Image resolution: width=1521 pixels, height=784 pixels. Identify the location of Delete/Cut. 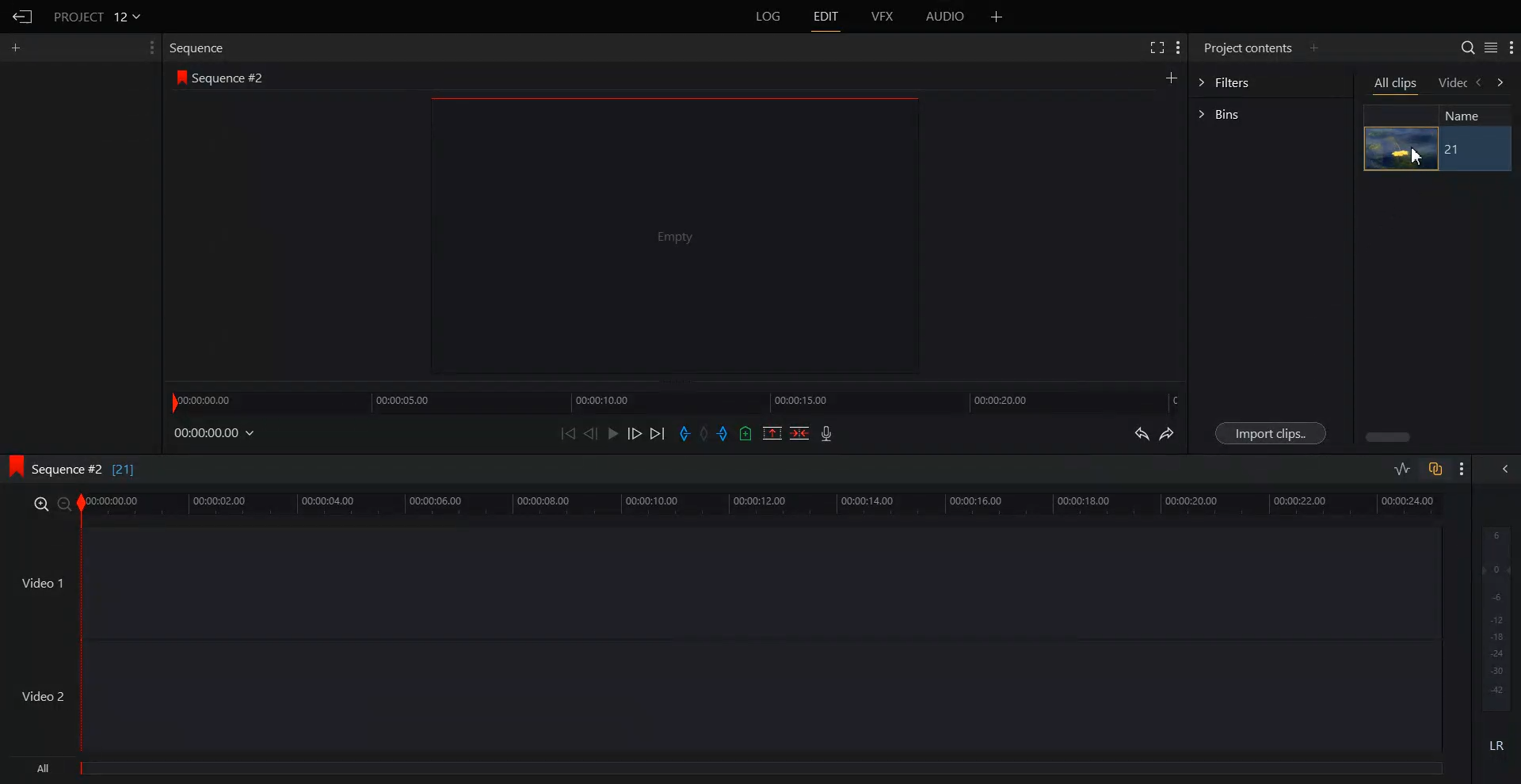
(800, 433).